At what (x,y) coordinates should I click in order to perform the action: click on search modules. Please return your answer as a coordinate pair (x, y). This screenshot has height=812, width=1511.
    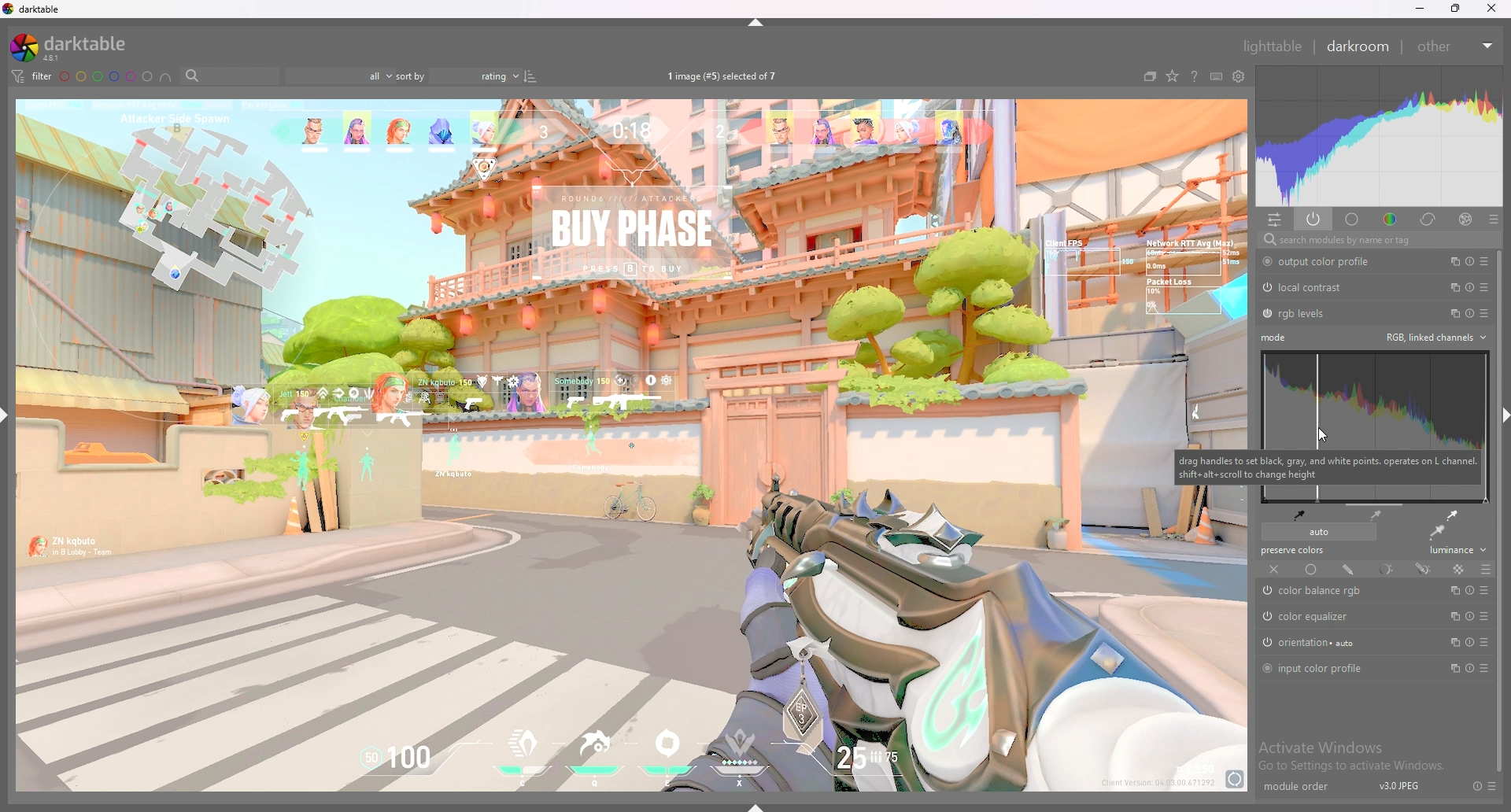
    Looking at the image, I should click on (1375, 241).